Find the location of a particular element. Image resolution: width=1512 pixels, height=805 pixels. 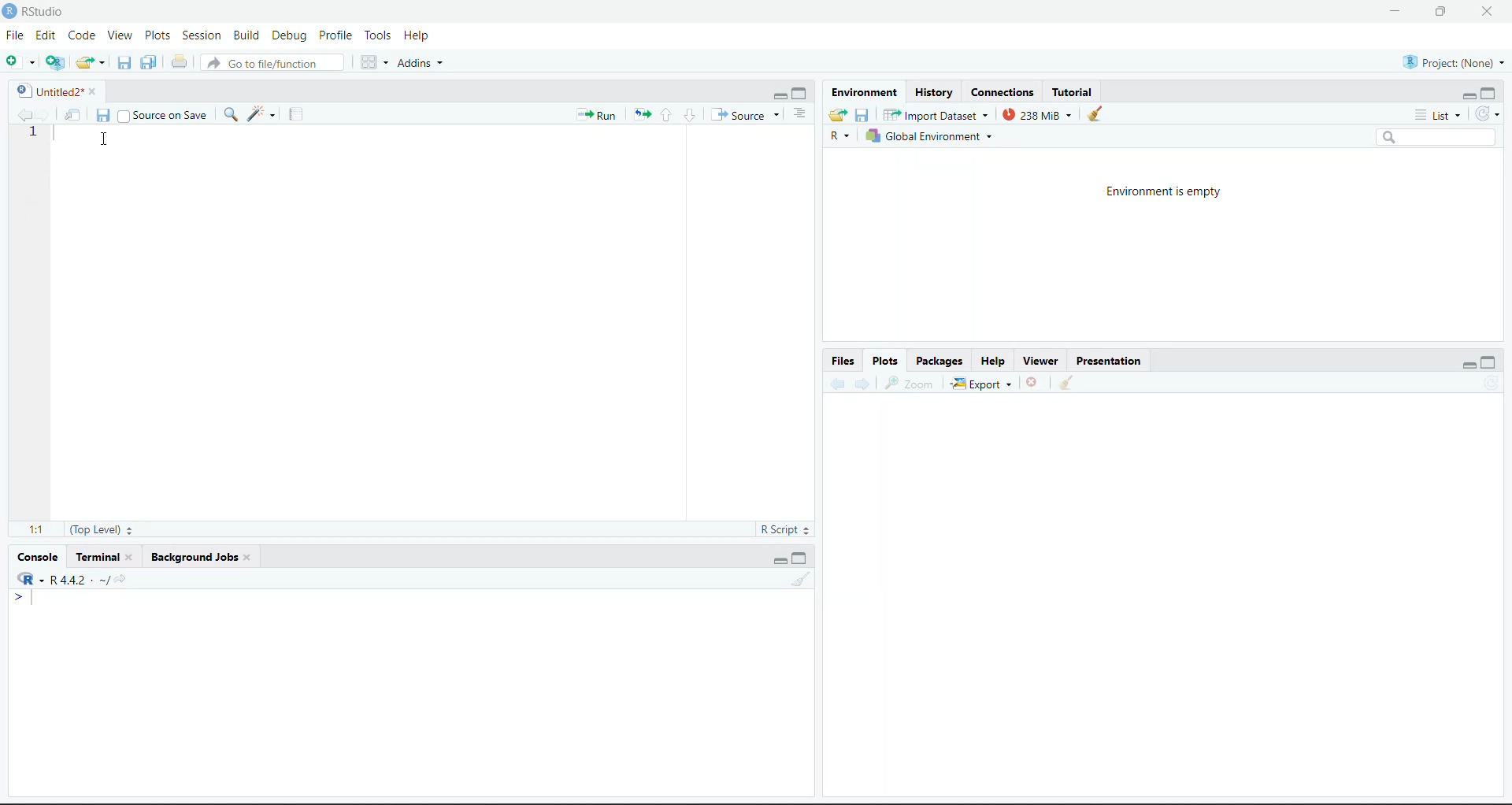

Source on Save is located at coordinates (163, 114).